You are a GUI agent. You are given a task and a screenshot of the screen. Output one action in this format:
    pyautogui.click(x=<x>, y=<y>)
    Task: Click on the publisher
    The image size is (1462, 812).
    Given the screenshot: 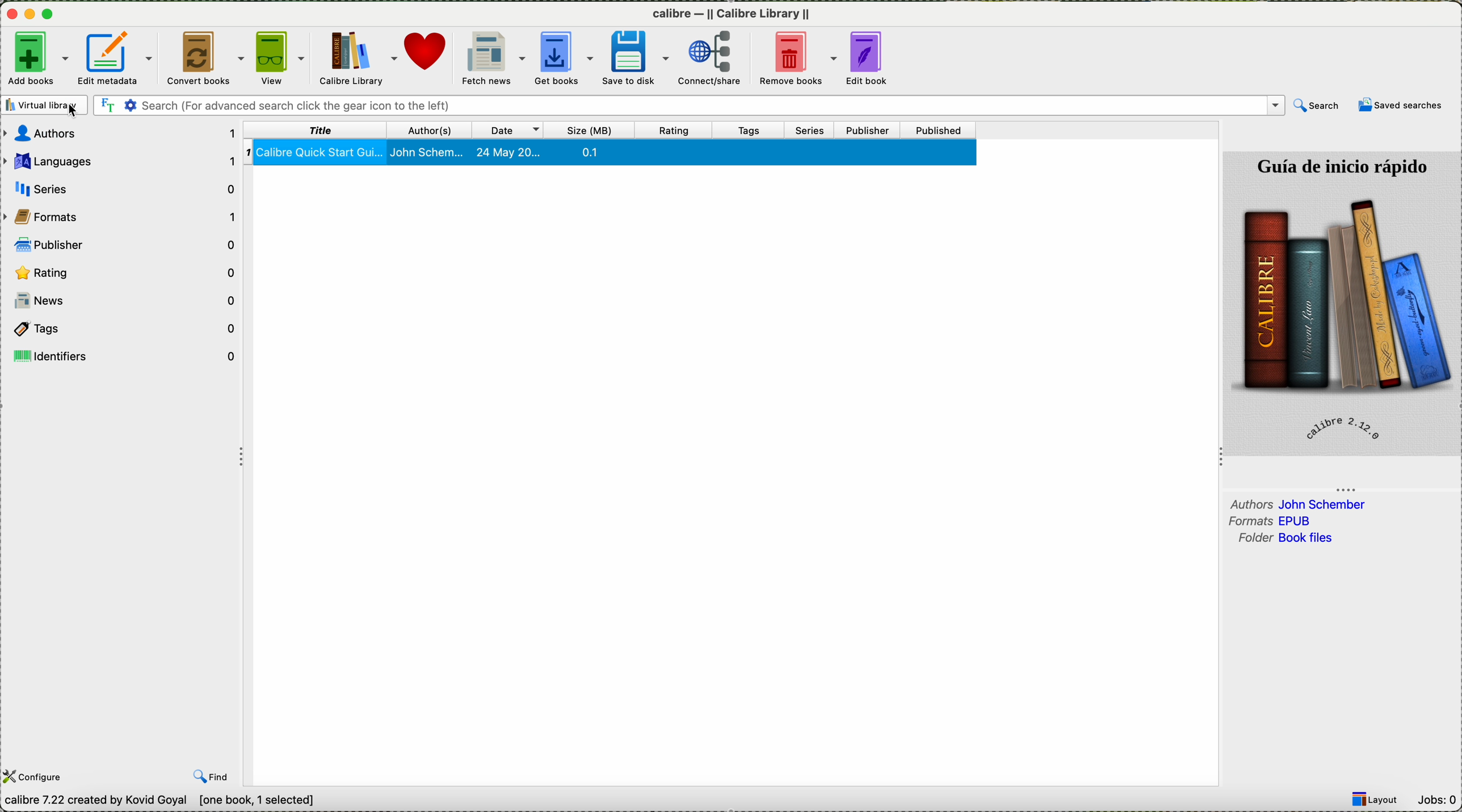 What is the action you would take?
    pyautogui.click(x=126, y=243)
    